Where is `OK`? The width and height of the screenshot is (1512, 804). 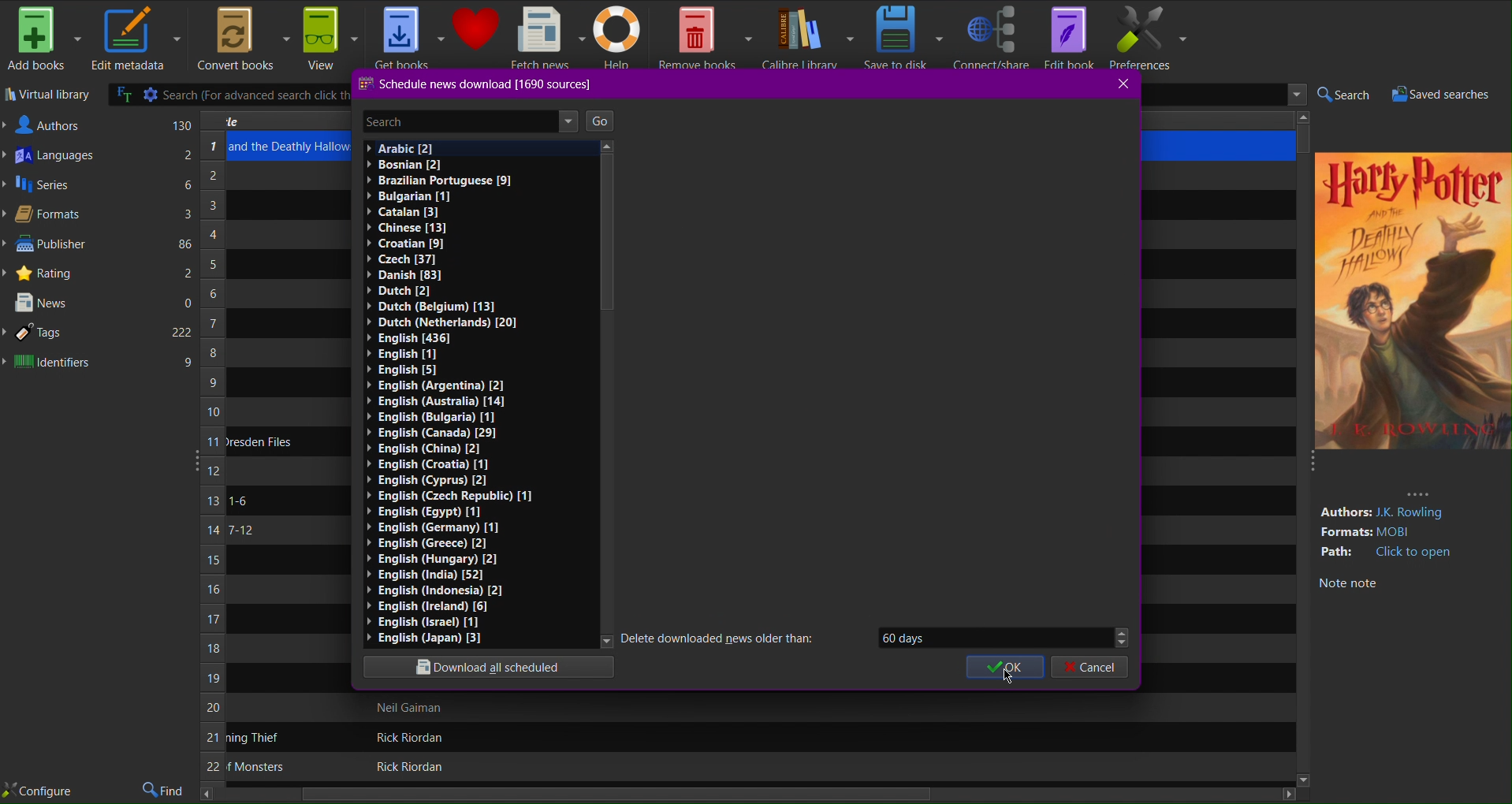 OK is located at coordinates (1006, 668).